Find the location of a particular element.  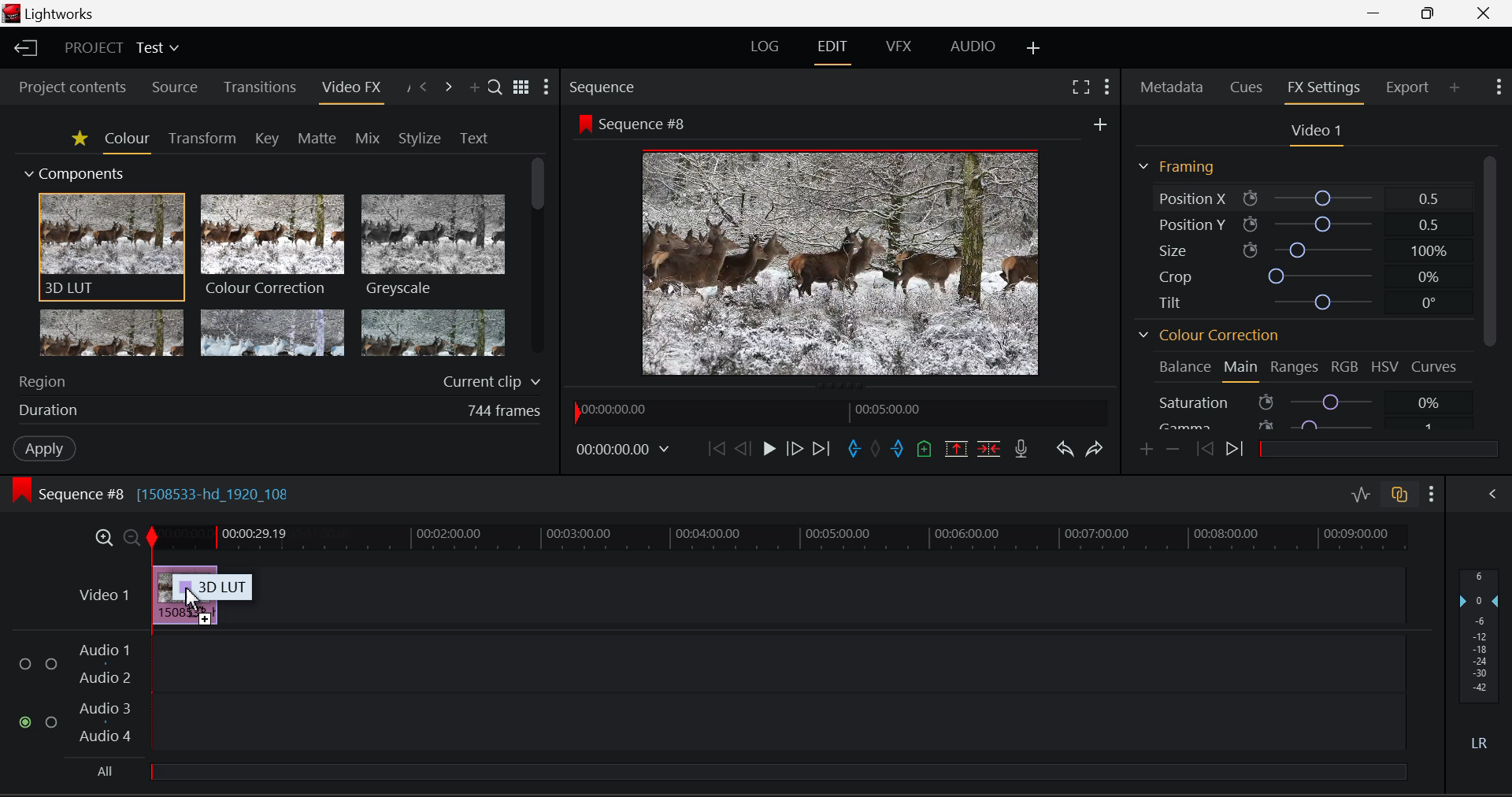

DRAG_TO Cursor Position is located at coordinates (191, 595).